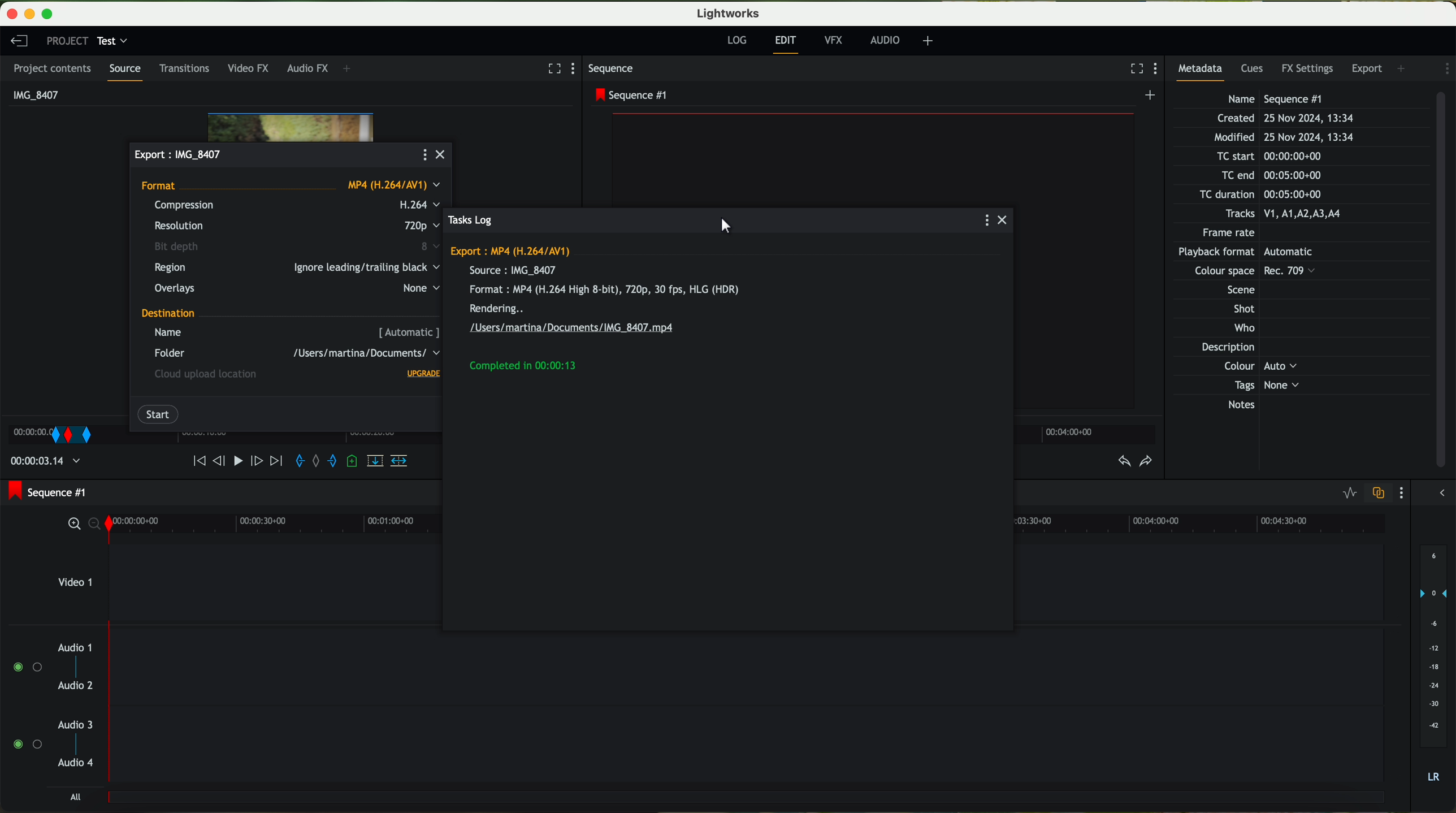  Describe the element at coordinates (10, 14) in the screenshot. I see `close program` at that location.